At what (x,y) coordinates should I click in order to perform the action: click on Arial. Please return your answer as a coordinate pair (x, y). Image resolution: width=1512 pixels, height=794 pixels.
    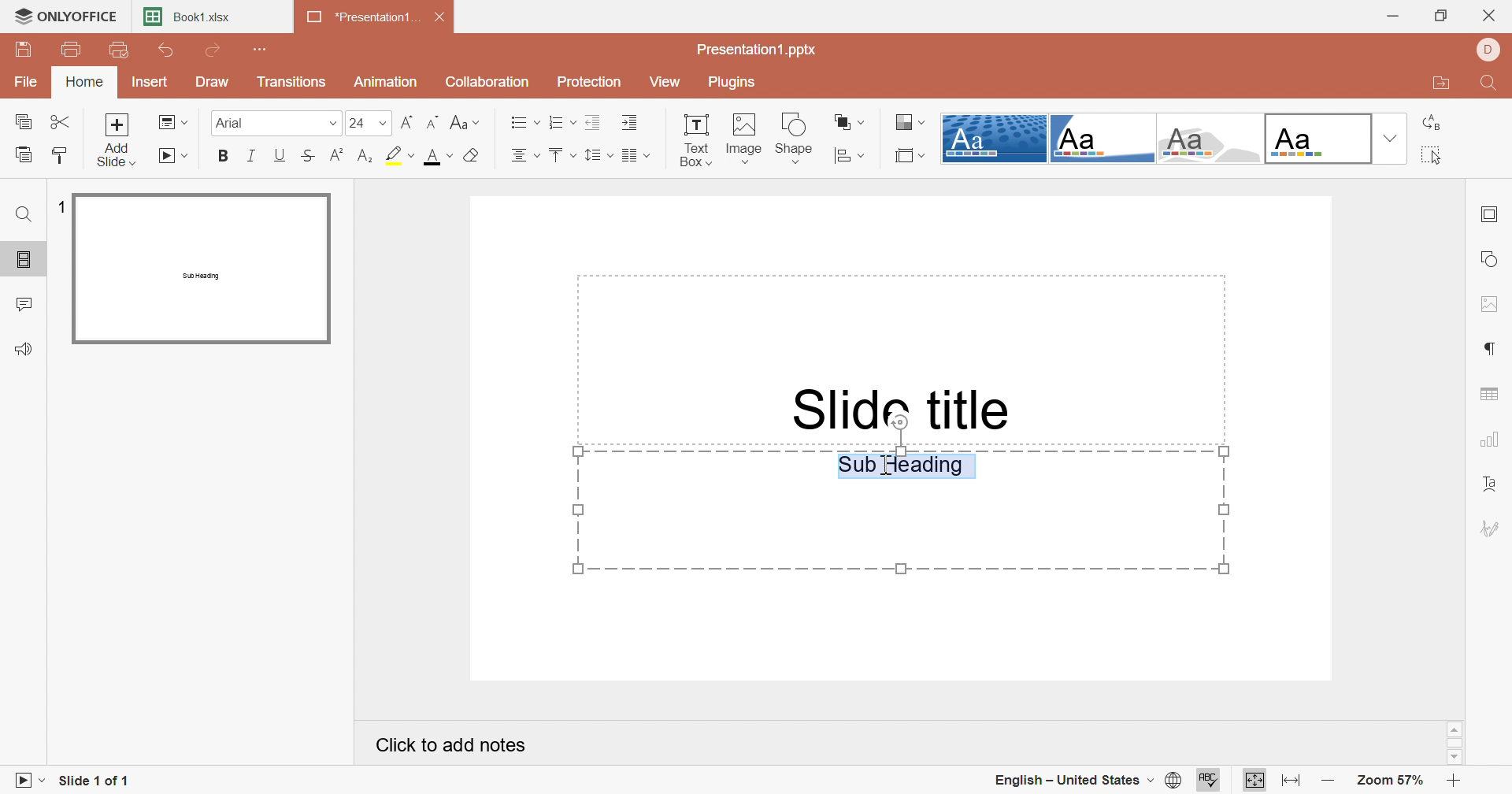
    Looking at the image, I should click on (276, 122).